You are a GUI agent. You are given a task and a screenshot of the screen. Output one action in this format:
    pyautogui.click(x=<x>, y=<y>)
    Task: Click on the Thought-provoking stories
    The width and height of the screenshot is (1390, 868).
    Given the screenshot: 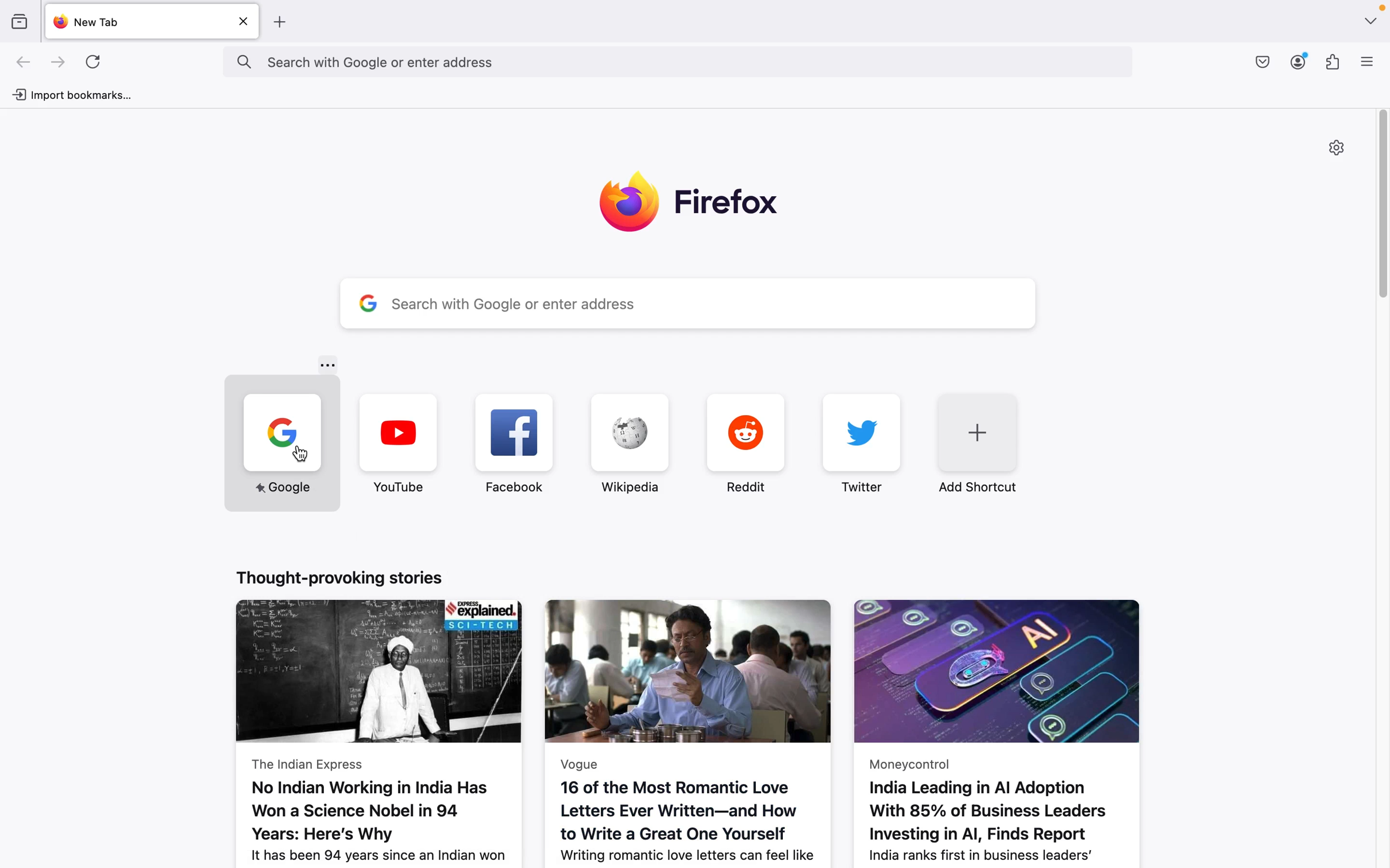 What is the action you would take?
    pyautogui.click(x=349, y=574)
    